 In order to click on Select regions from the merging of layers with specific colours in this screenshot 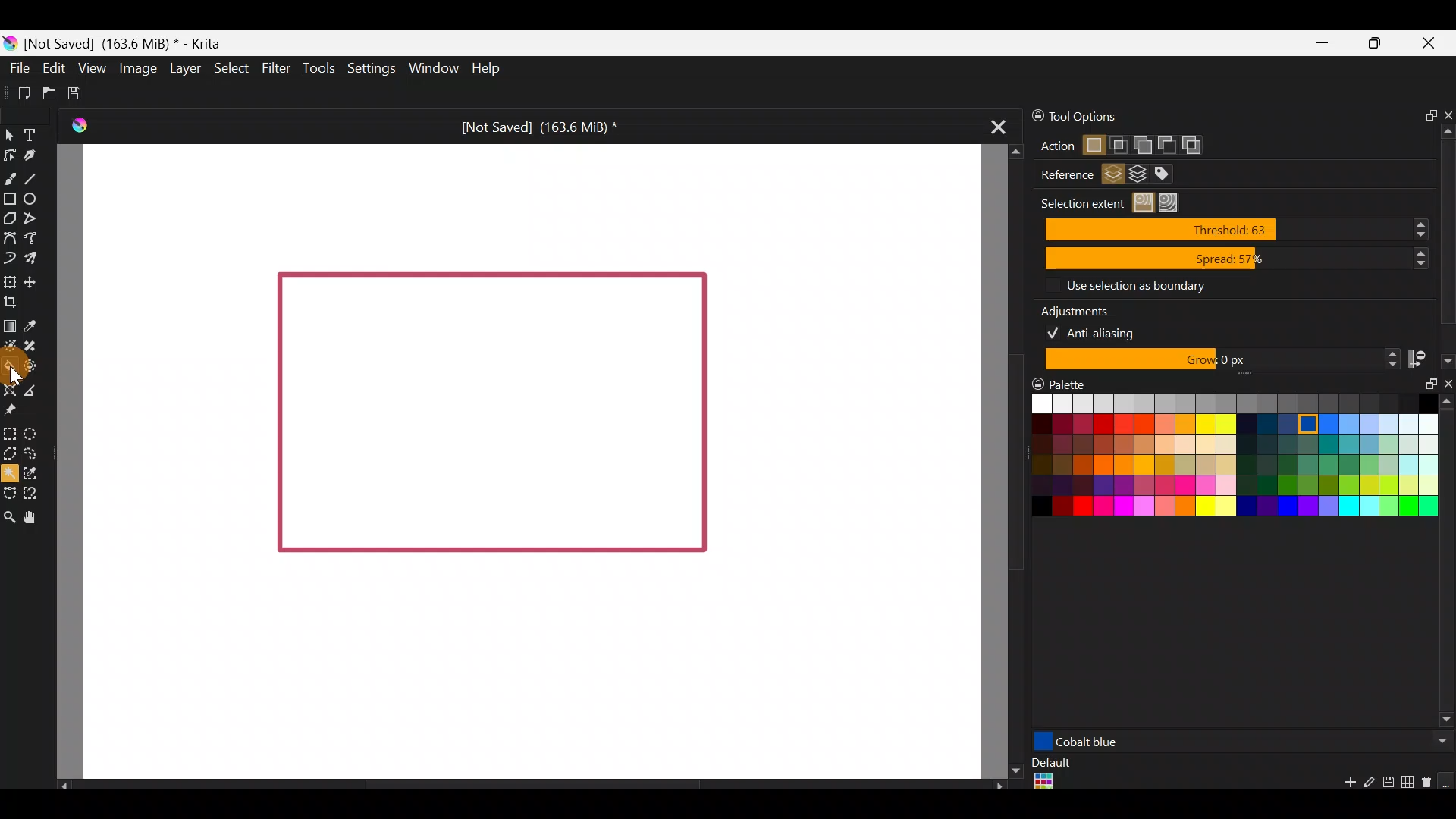, I will do `click(1170, 174)`.